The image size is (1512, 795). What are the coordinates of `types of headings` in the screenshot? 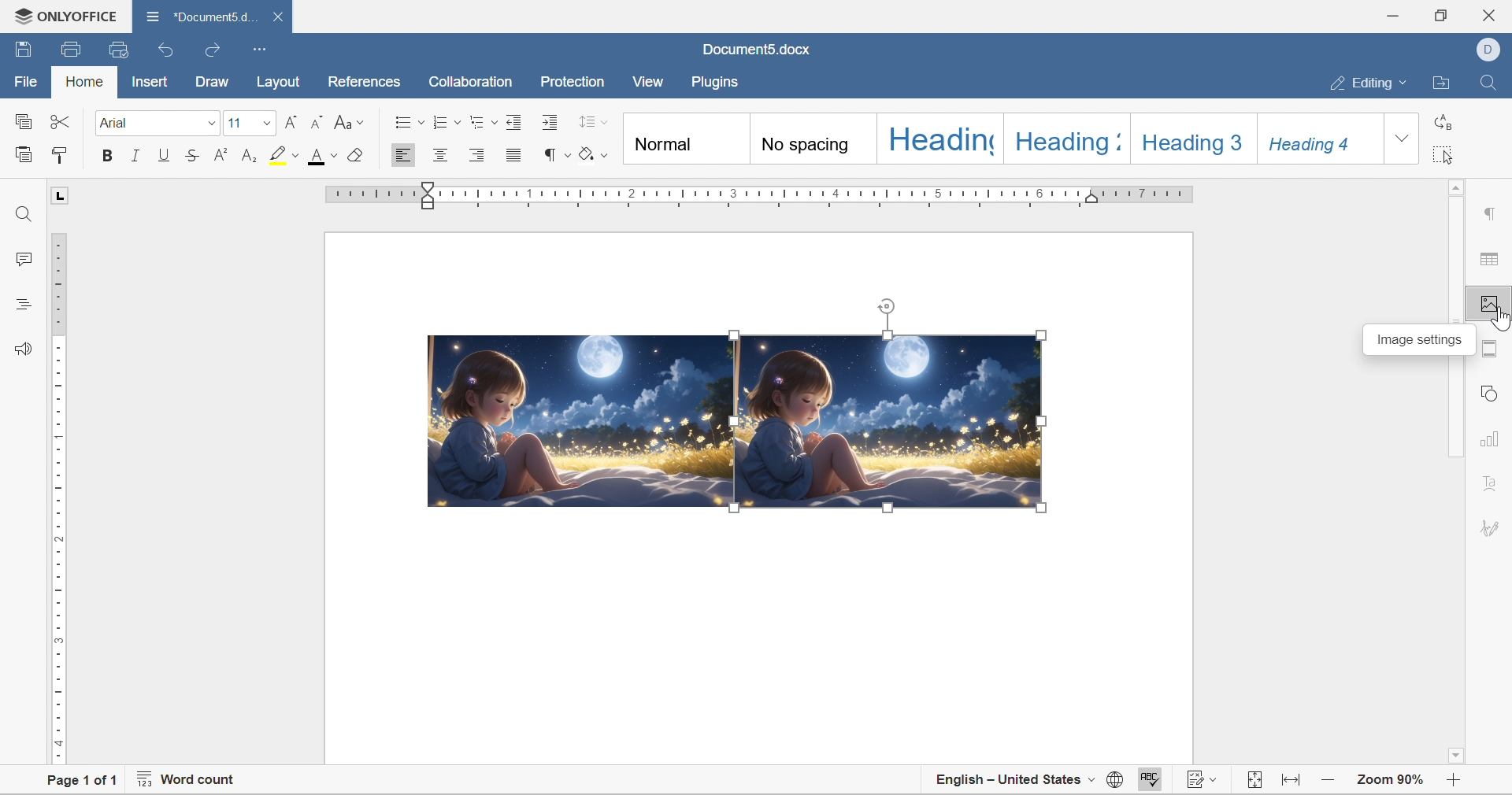 It's located at (999, 139).